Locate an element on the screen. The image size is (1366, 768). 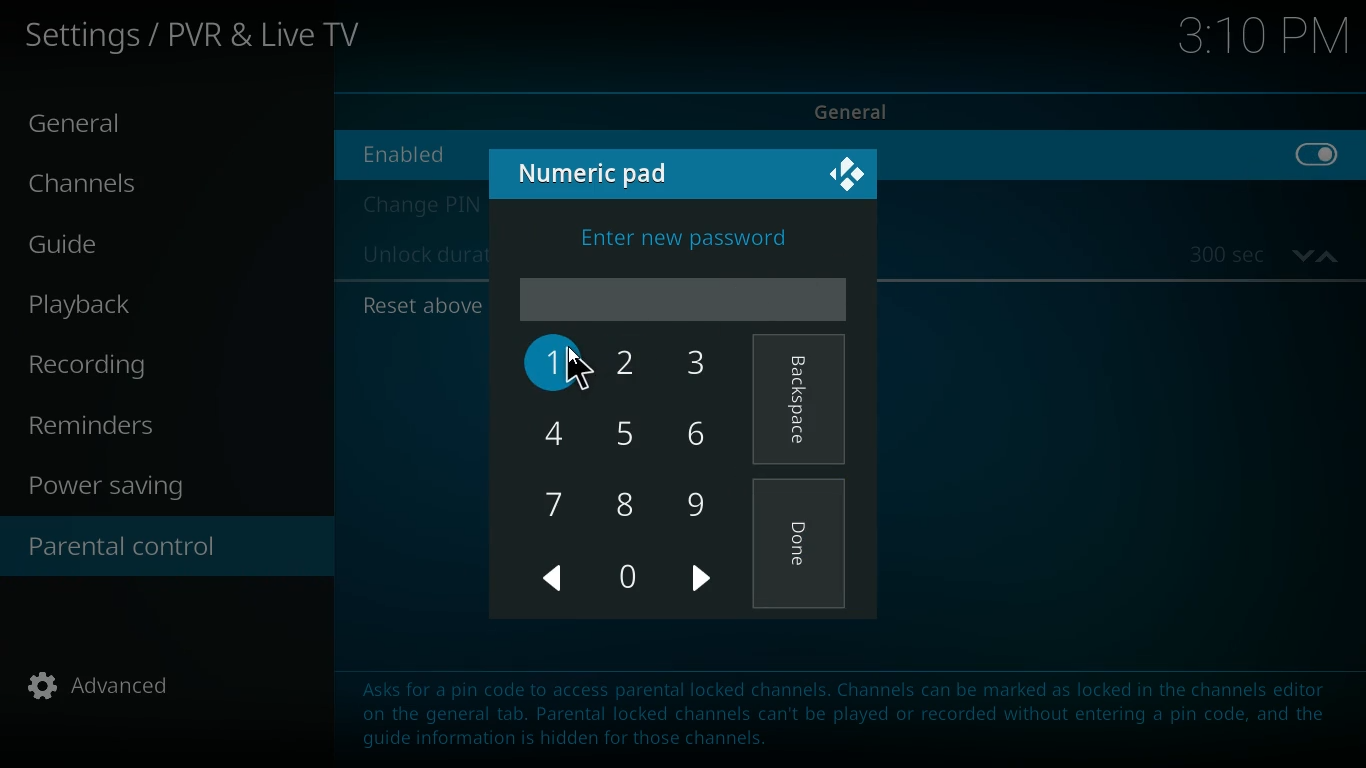
reset is located at coordinates (419, 306).